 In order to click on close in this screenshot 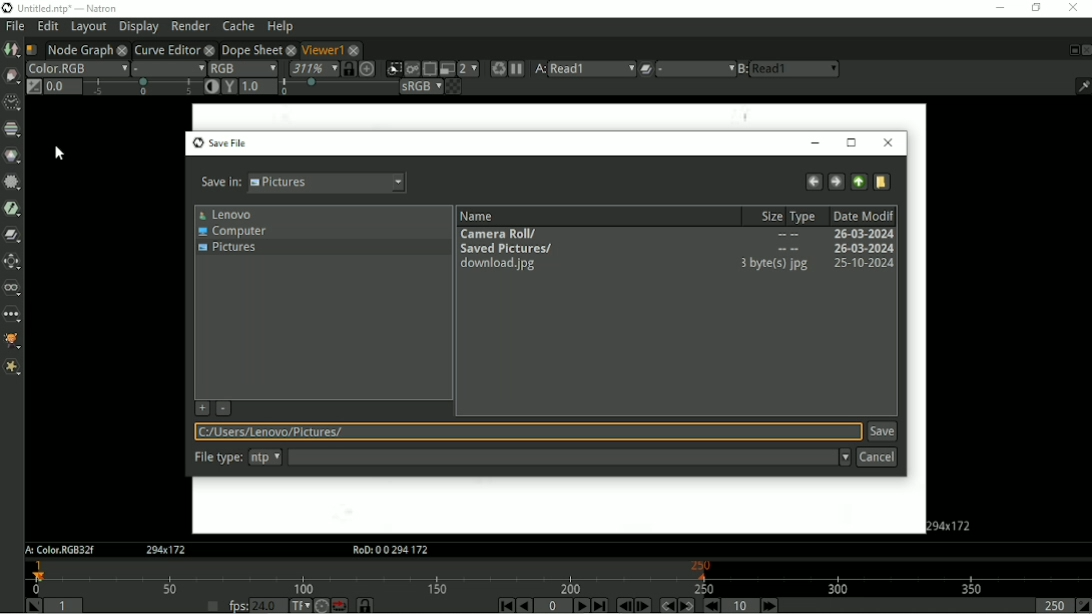, I will do `click(291, 50)`.